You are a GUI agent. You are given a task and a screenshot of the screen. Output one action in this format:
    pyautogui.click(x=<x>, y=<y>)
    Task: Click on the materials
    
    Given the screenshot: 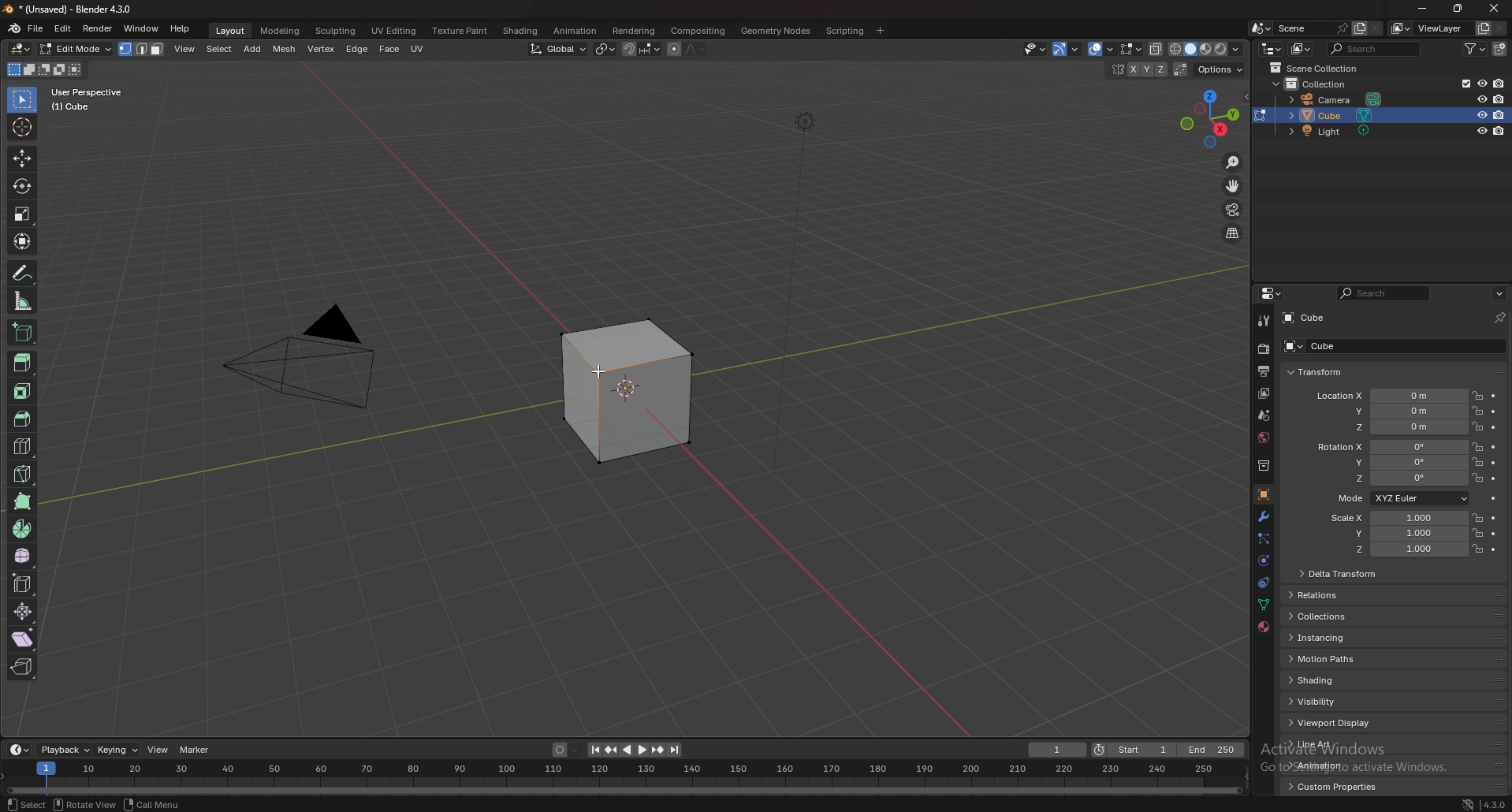 What is the action you would take?
    pyautogui.click(x=1264, y=627)
    